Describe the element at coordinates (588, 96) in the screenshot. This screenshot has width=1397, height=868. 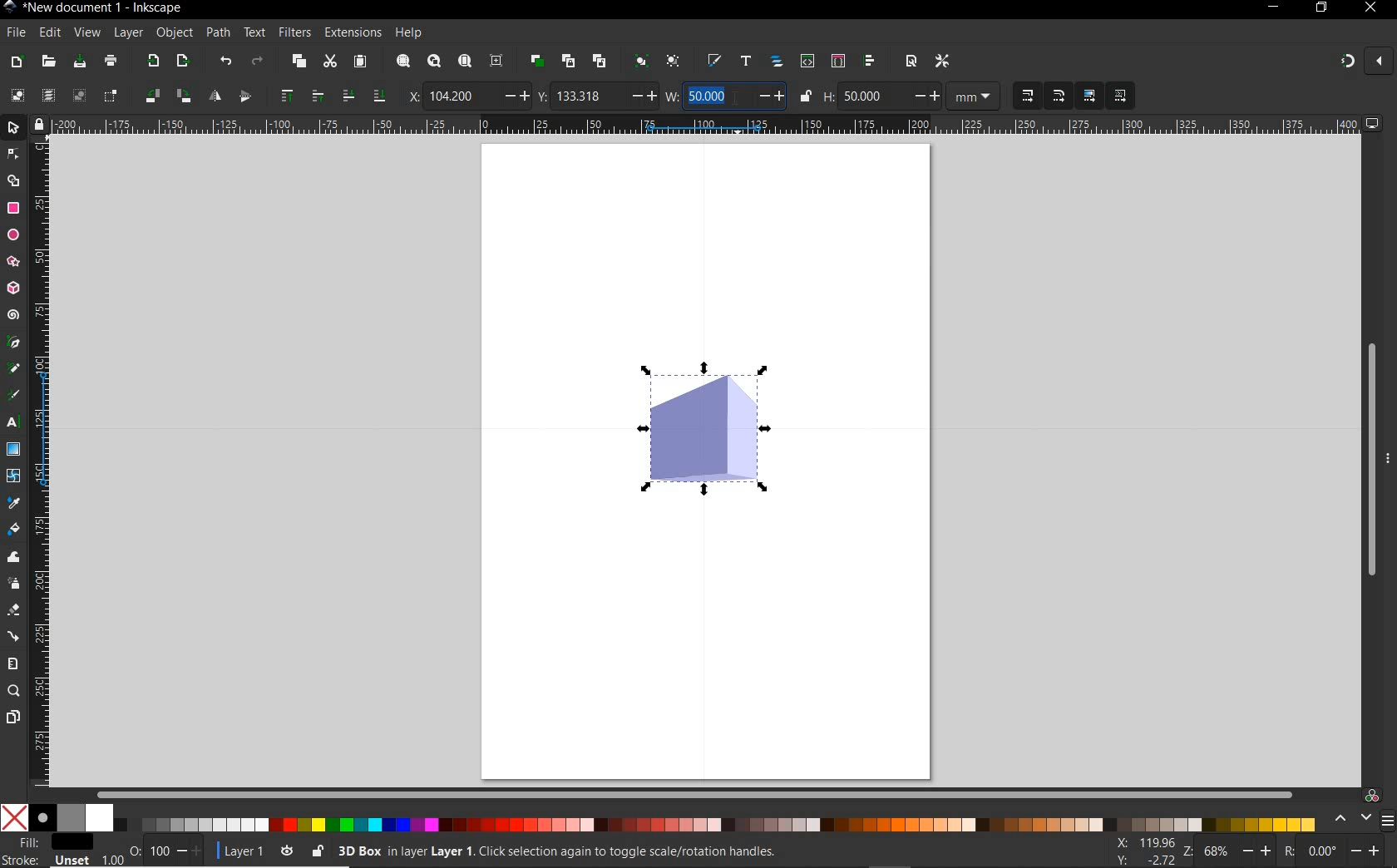
I see `133` at that location.